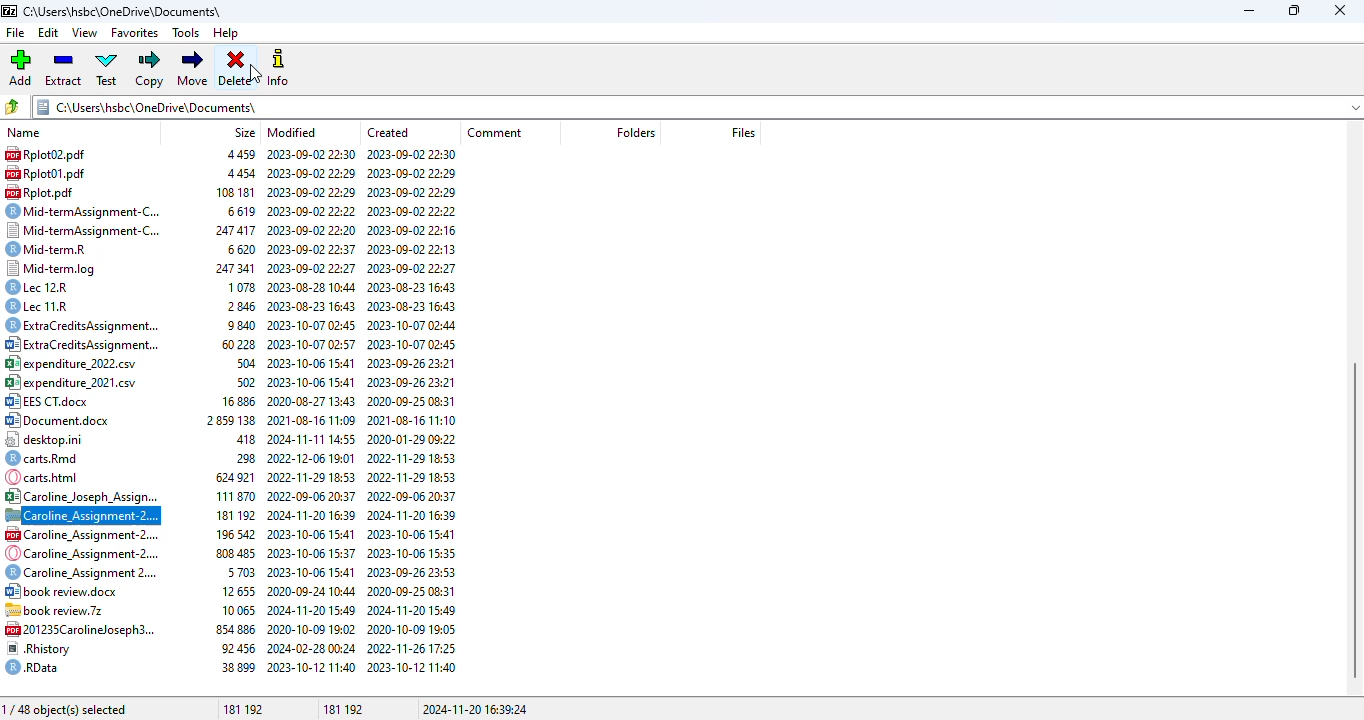 This screenshot has width=1364, height=720. What do you see at coordinates (312, 456) in the screenshot?
I see `2022-12-06 19:01` at bounding box center [312, 456].